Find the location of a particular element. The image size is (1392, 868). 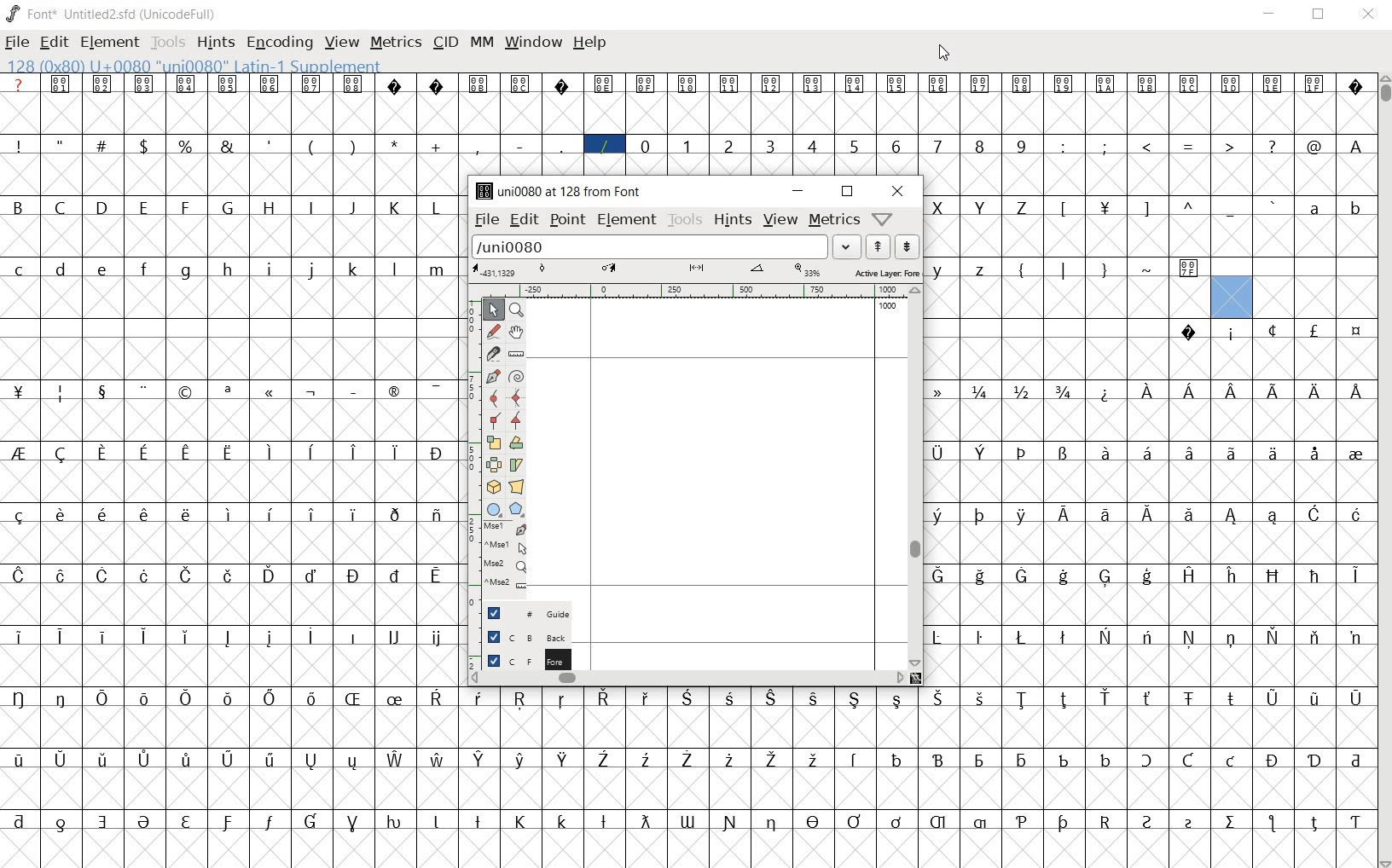

glyph is located at coordinates (1229, 145).